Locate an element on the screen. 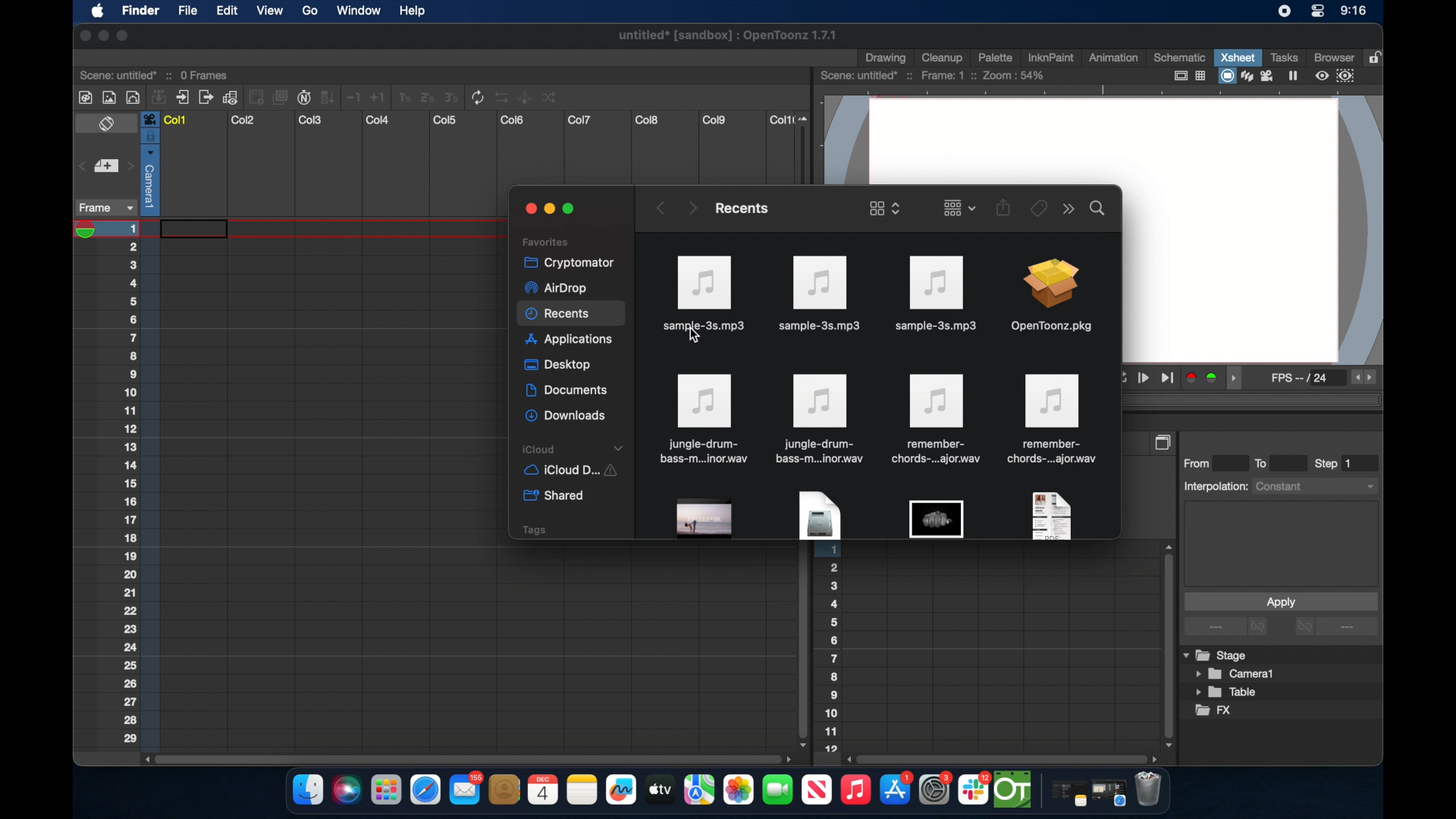 The height and width of the screenshot is (819, 1456). trash is located at coordinates (1148, 791).